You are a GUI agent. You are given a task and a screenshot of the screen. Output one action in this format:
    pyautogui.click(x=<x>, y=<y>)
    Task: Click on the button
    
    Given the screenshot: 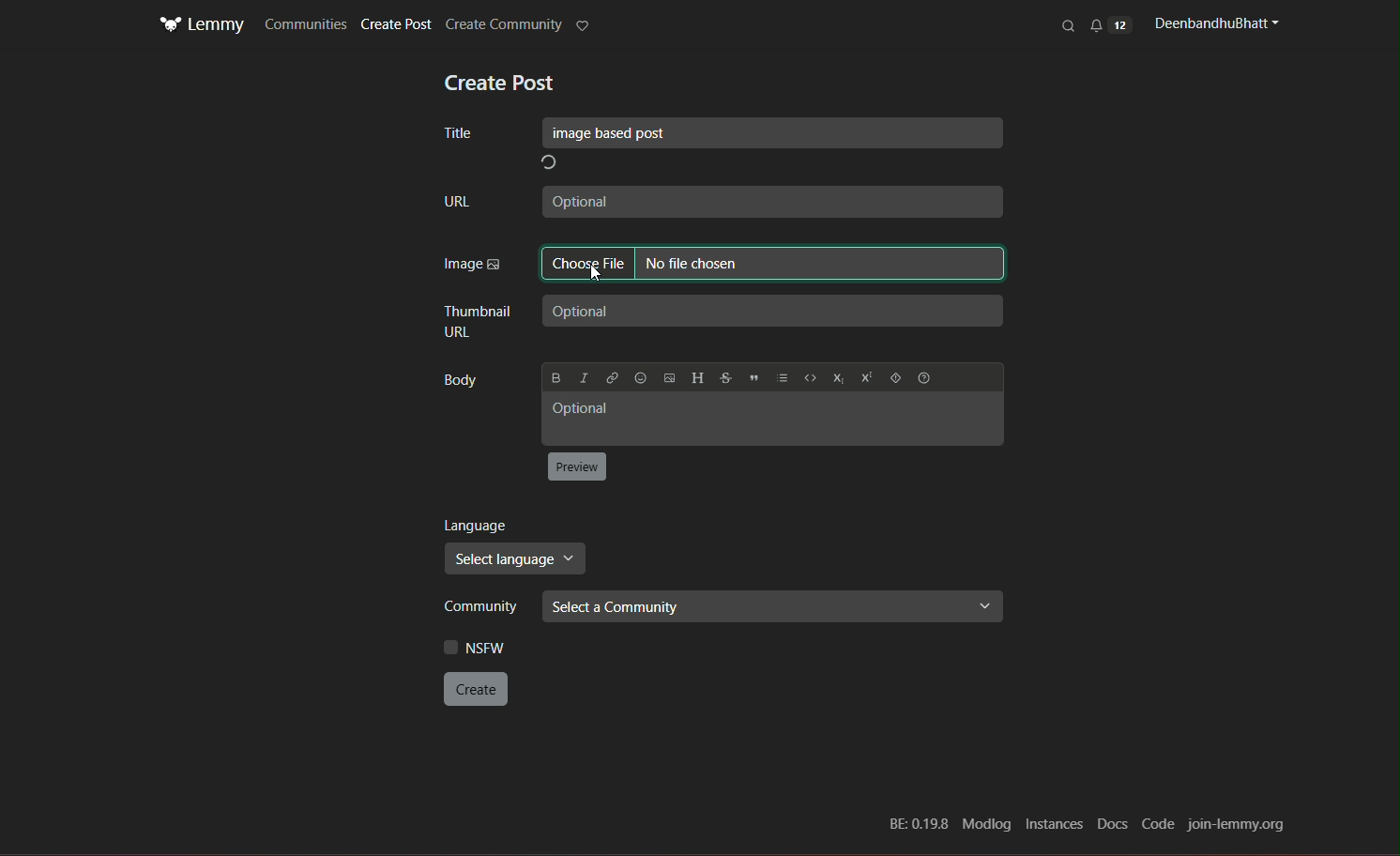 What is the action you would take?
    pyautogui.click(x=579, y=466)
    